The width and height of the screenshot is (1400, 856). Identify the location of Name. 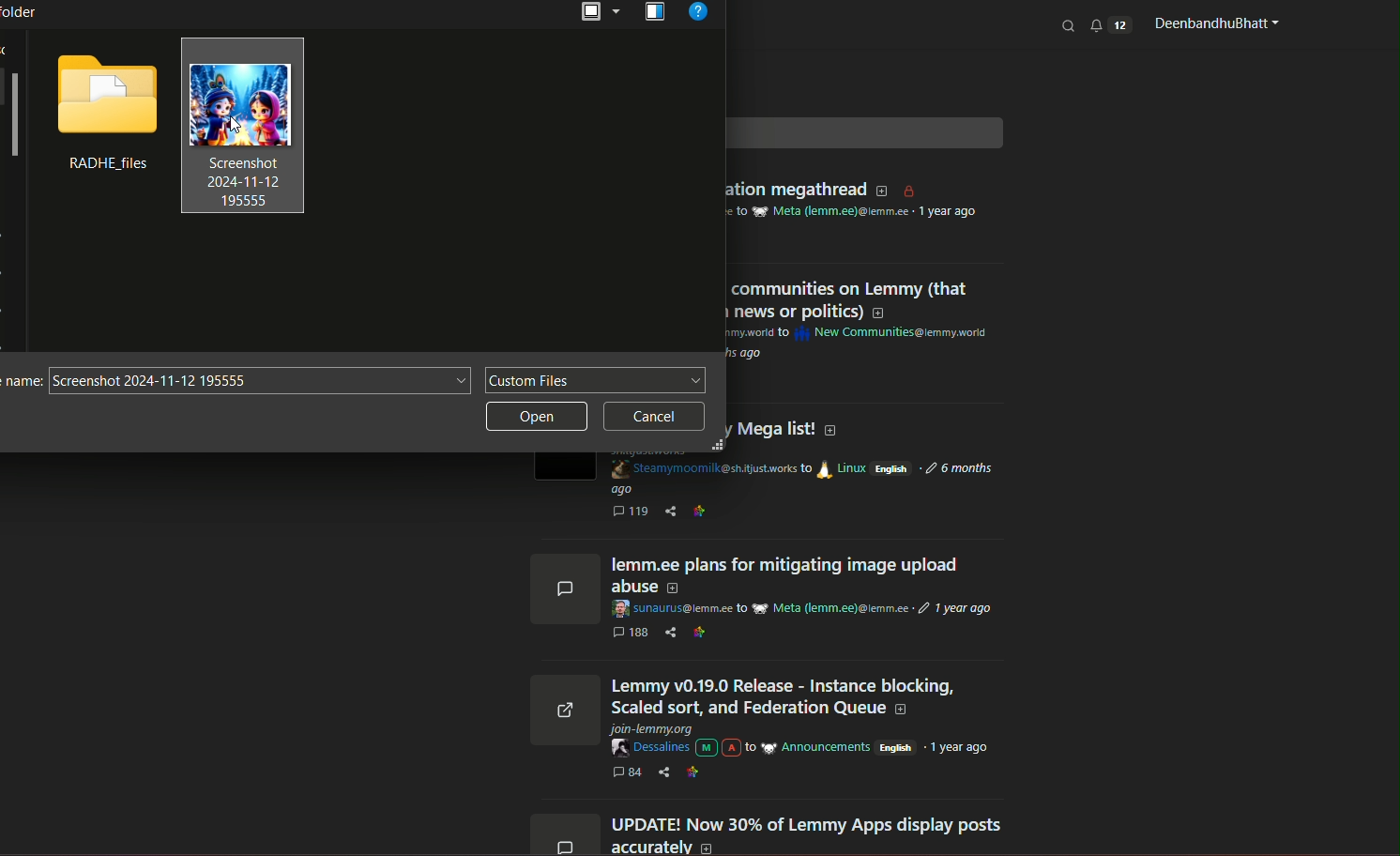
(21, 383).